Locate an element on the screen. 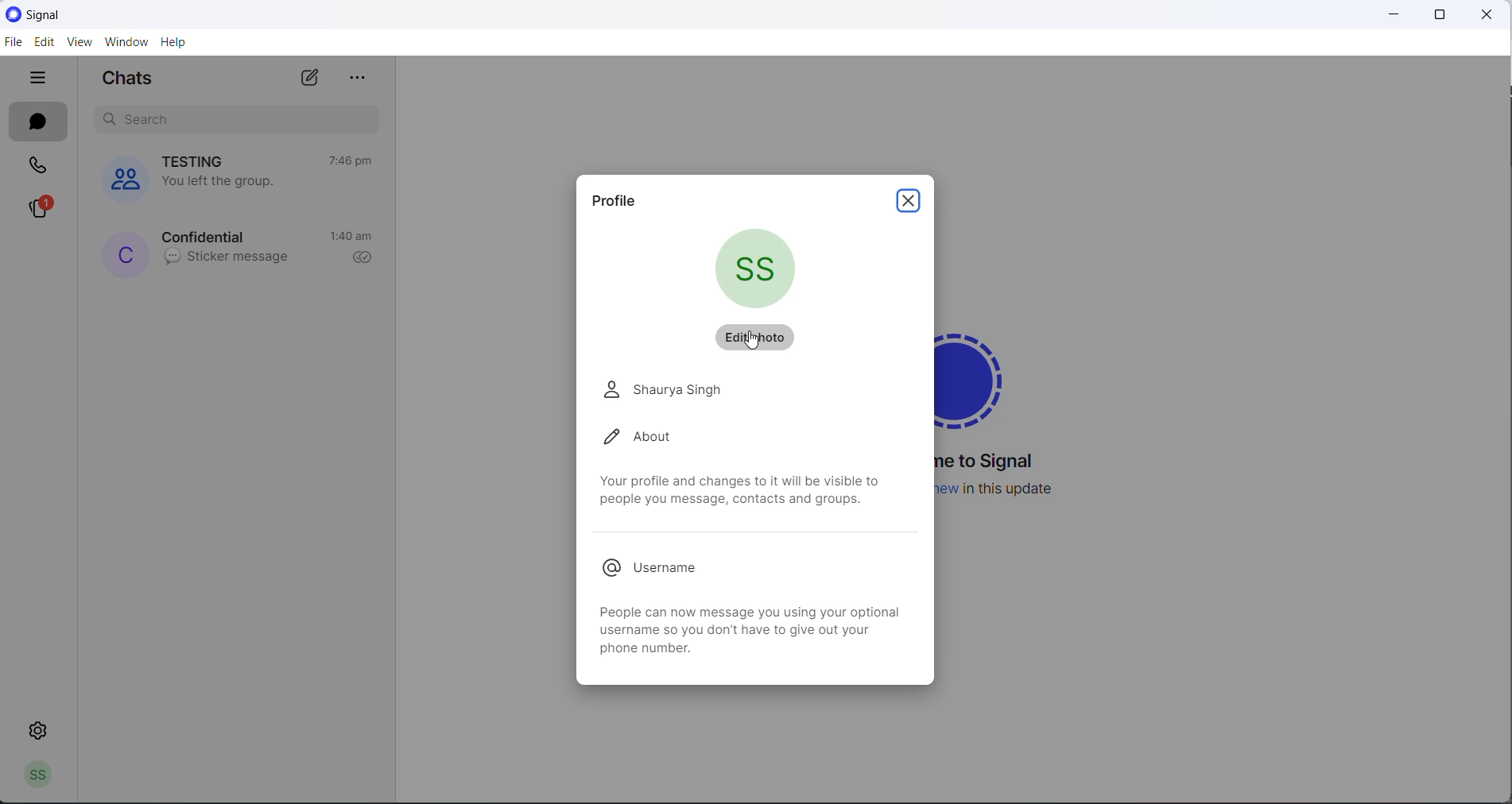 This screenshot has width=1512, height=804. settings is located at coordinates (41, 729).